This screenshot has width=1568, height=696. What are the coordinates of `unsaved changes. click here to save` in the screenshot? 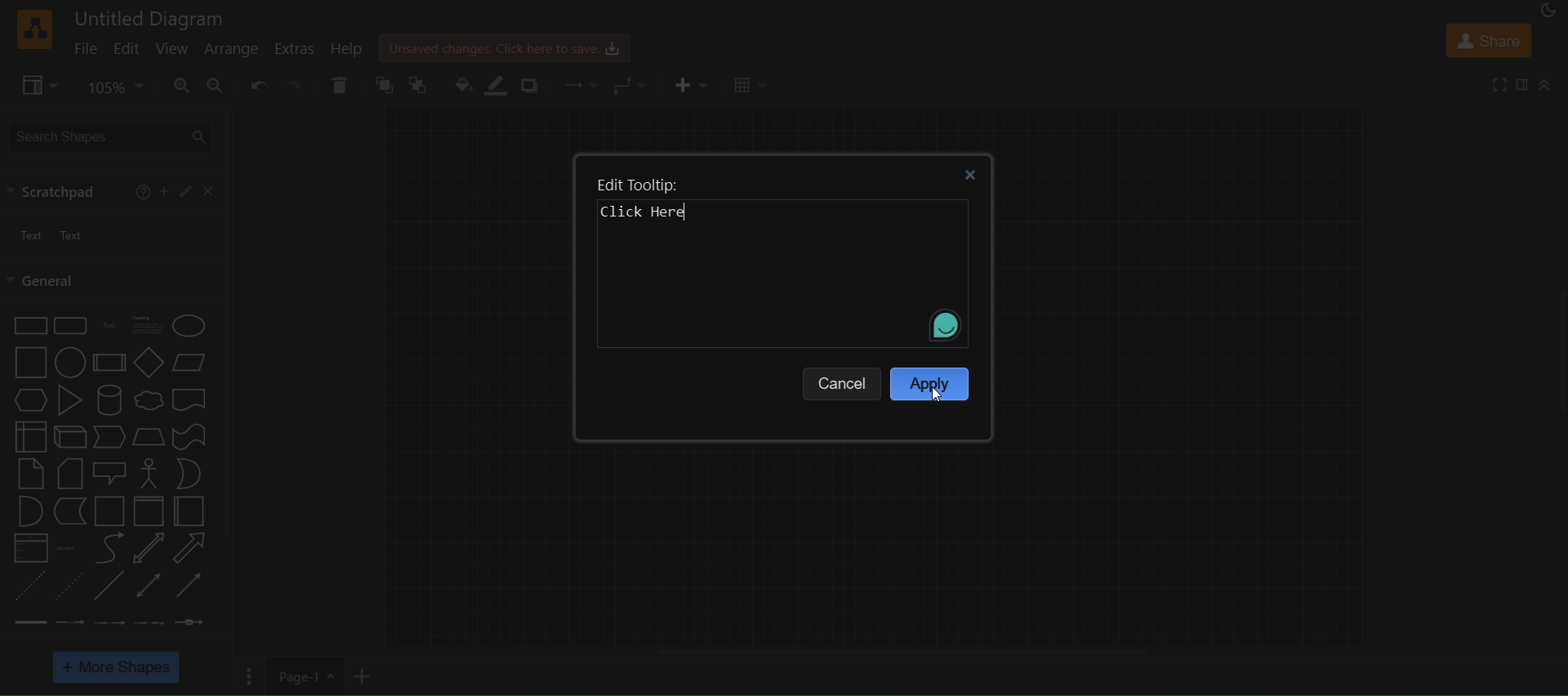 It's located at (501, 46).